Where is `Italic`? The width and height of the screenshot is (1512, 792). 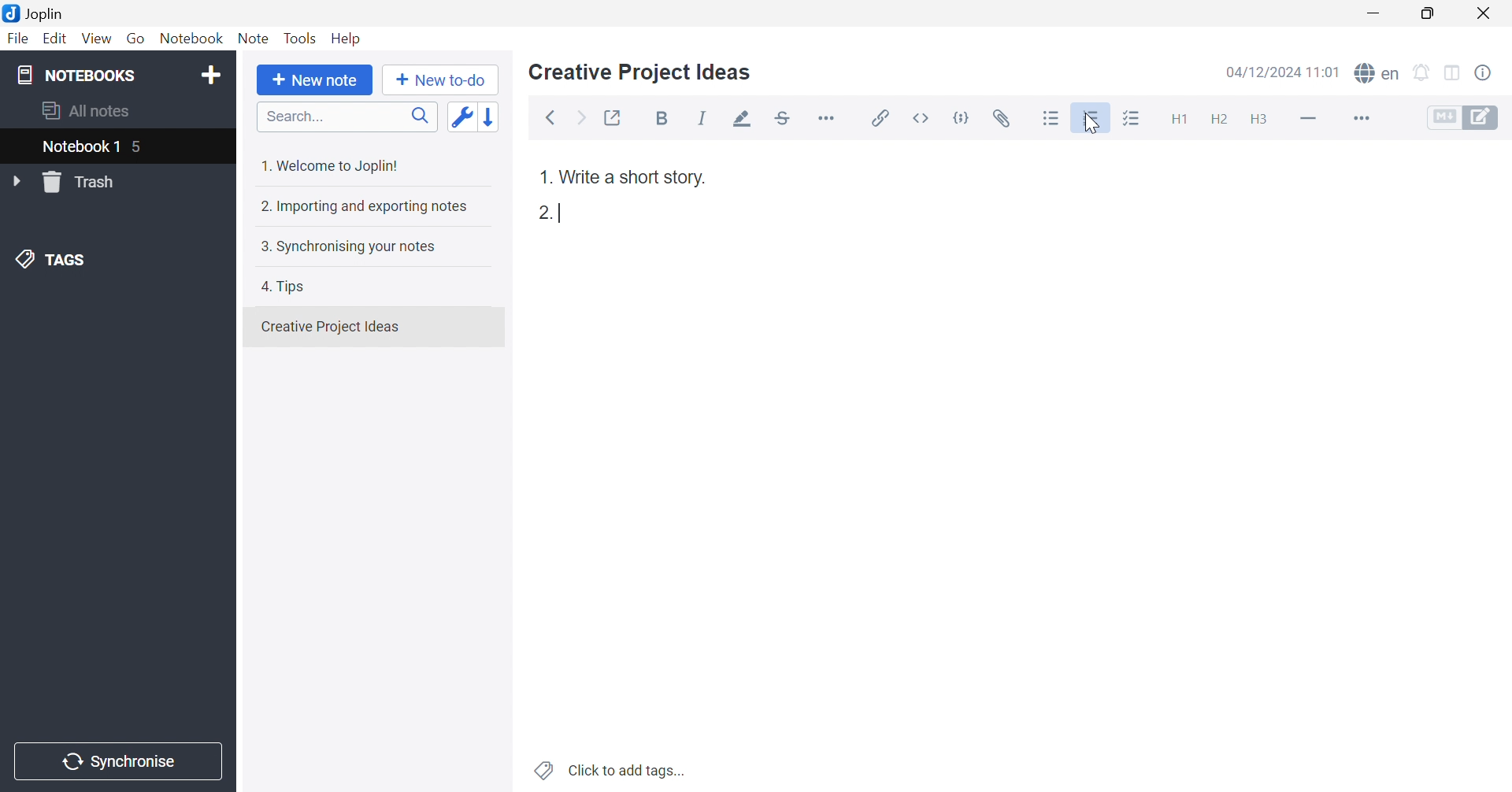 Italic is located at coordinates (705, 120).